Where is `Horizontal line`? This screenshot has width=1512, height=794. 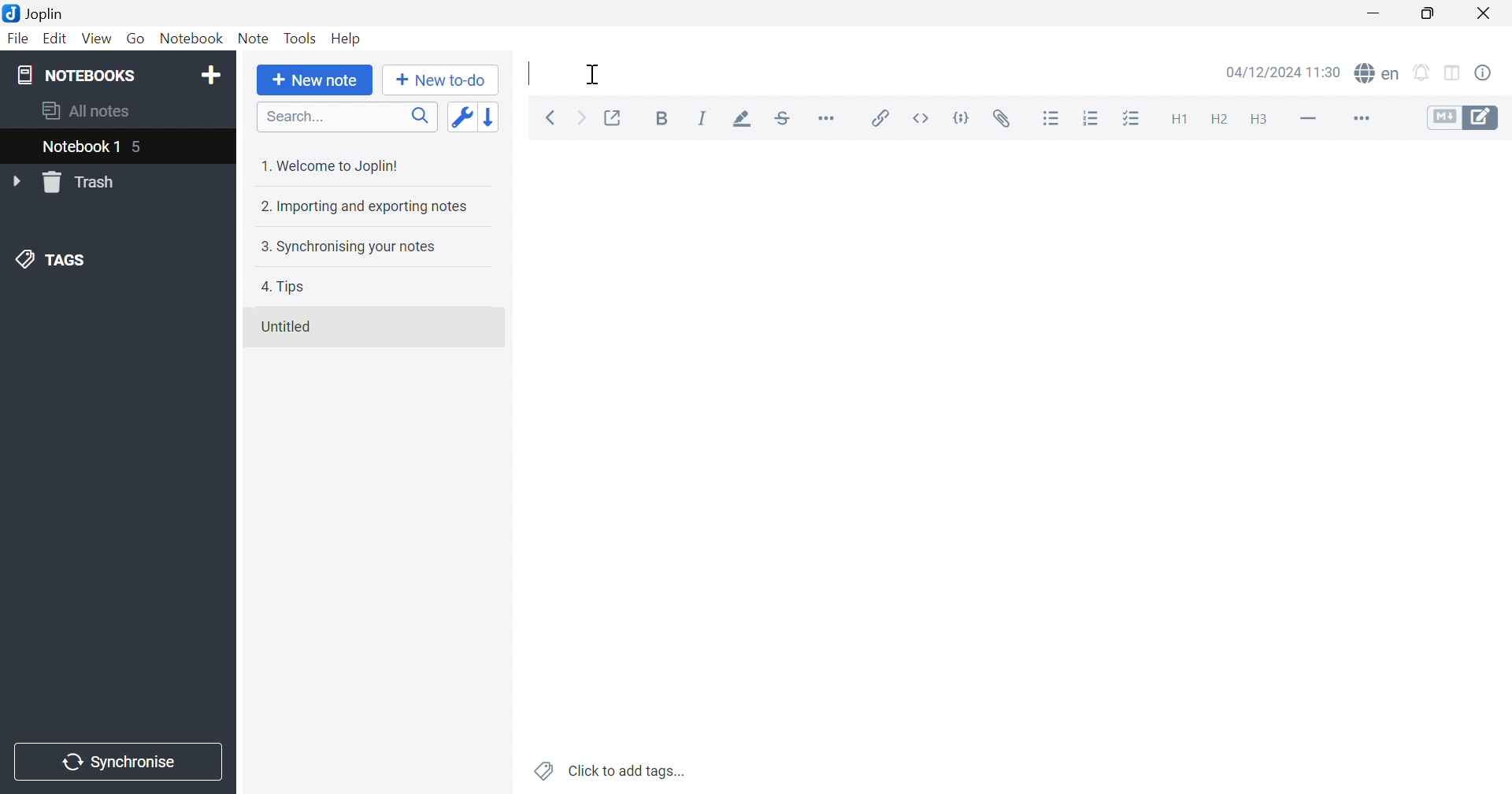
Horizontal line is located at coordinates (1311, 121).